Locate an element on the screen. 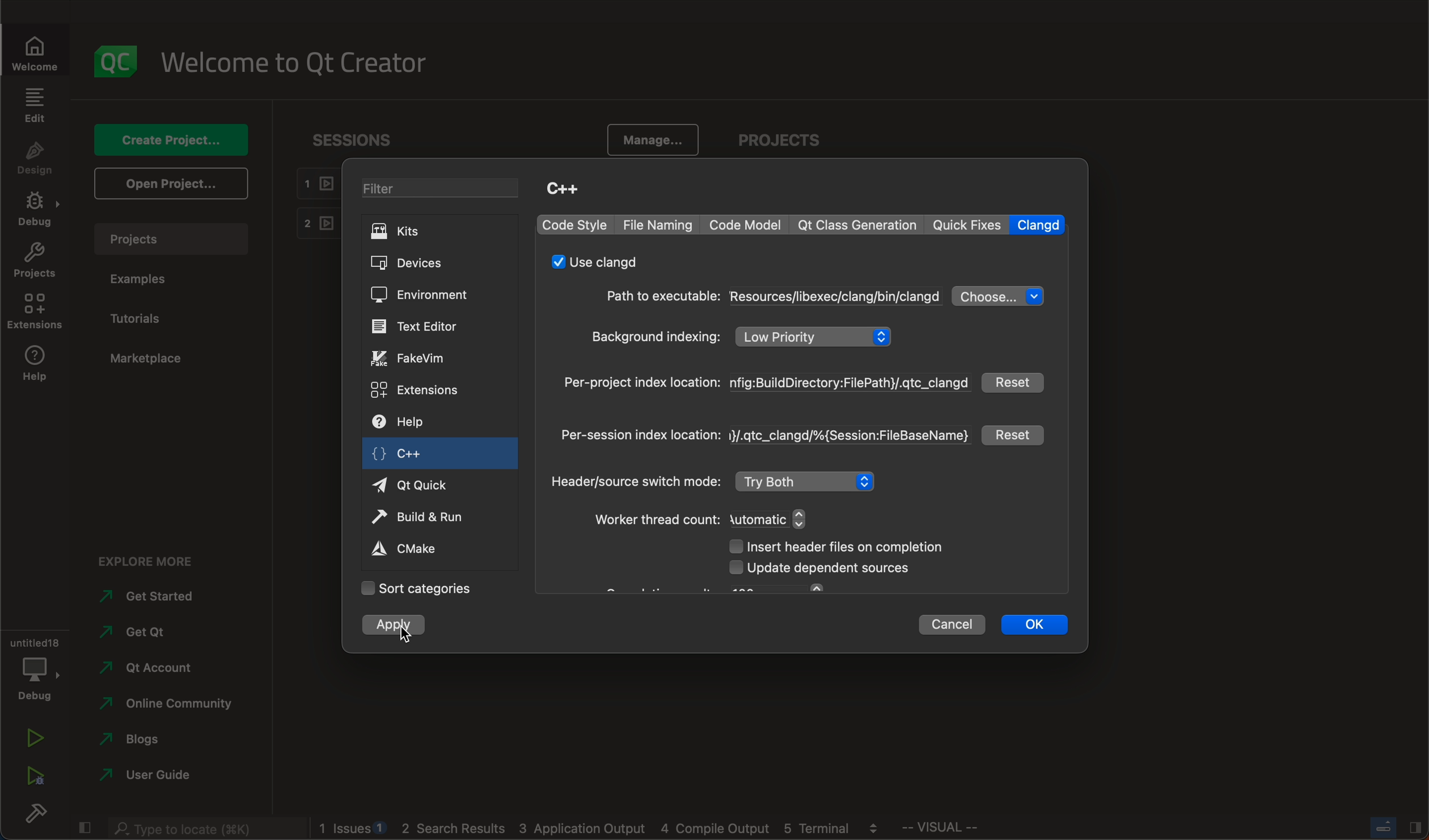 The height and width of the screenshot is (840, 1429). clicked is located at coordinates (396, 625).